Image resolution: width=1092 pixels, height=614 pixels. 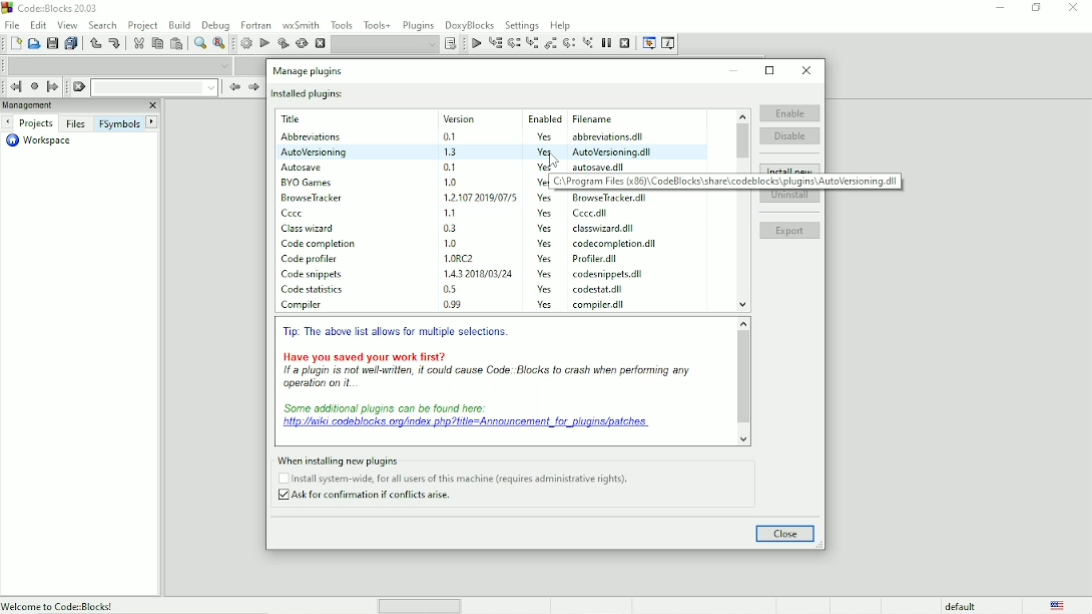 I want to click on 1.0, so click(x=450, y=181).